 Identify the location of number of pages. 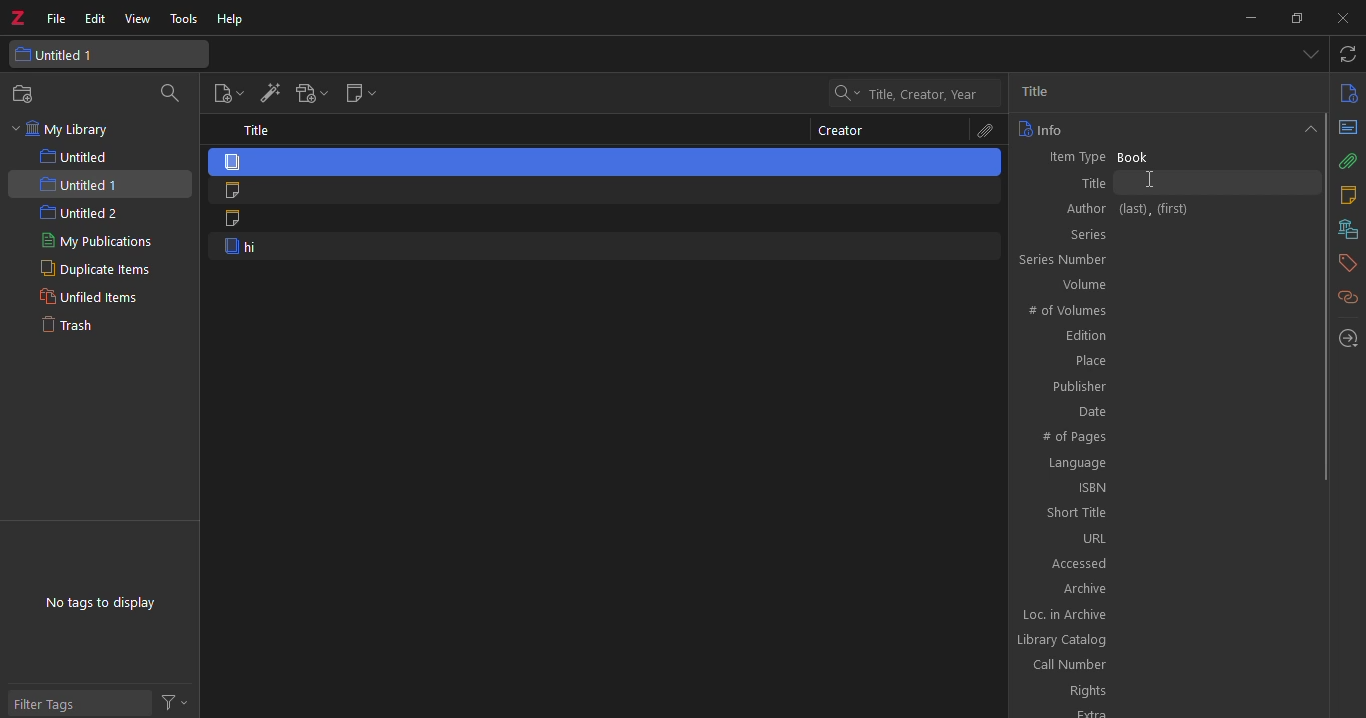
(1165, 438).